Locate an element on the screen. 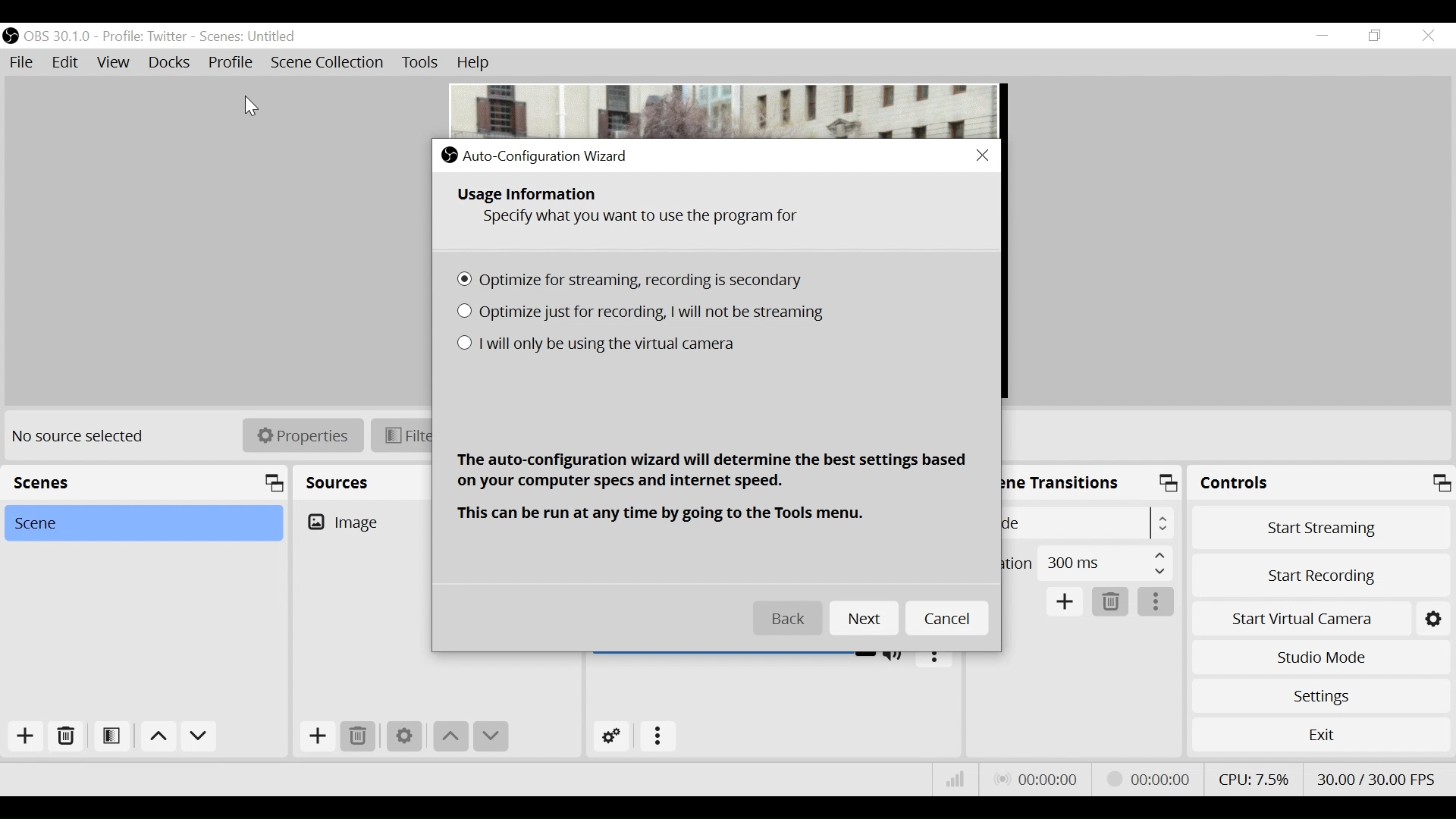  Restore is located at coordinates (1373, 36).